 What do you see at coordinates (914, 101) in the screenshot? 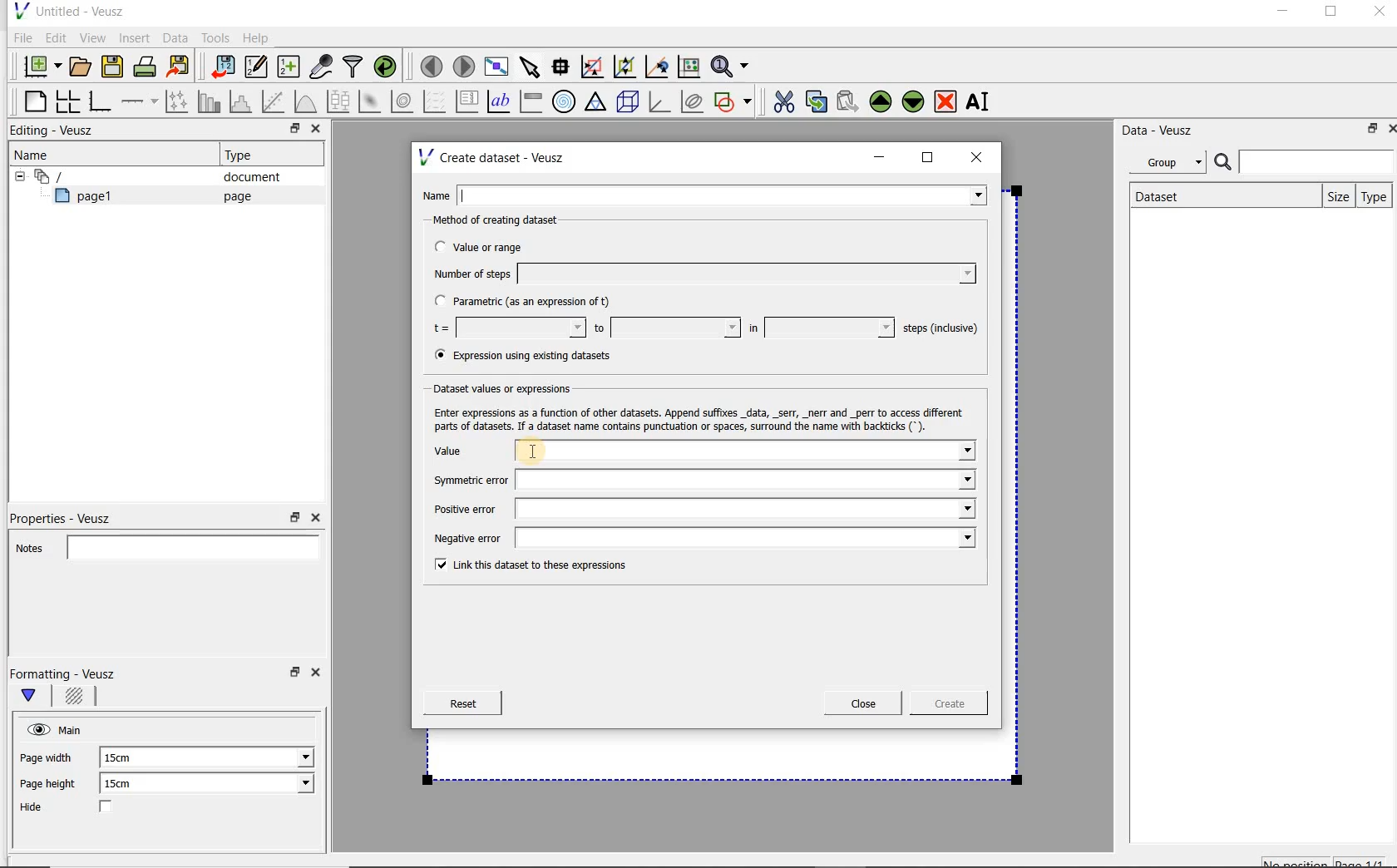
I see `Move the selected widget down` at bounding box center [914, 101].